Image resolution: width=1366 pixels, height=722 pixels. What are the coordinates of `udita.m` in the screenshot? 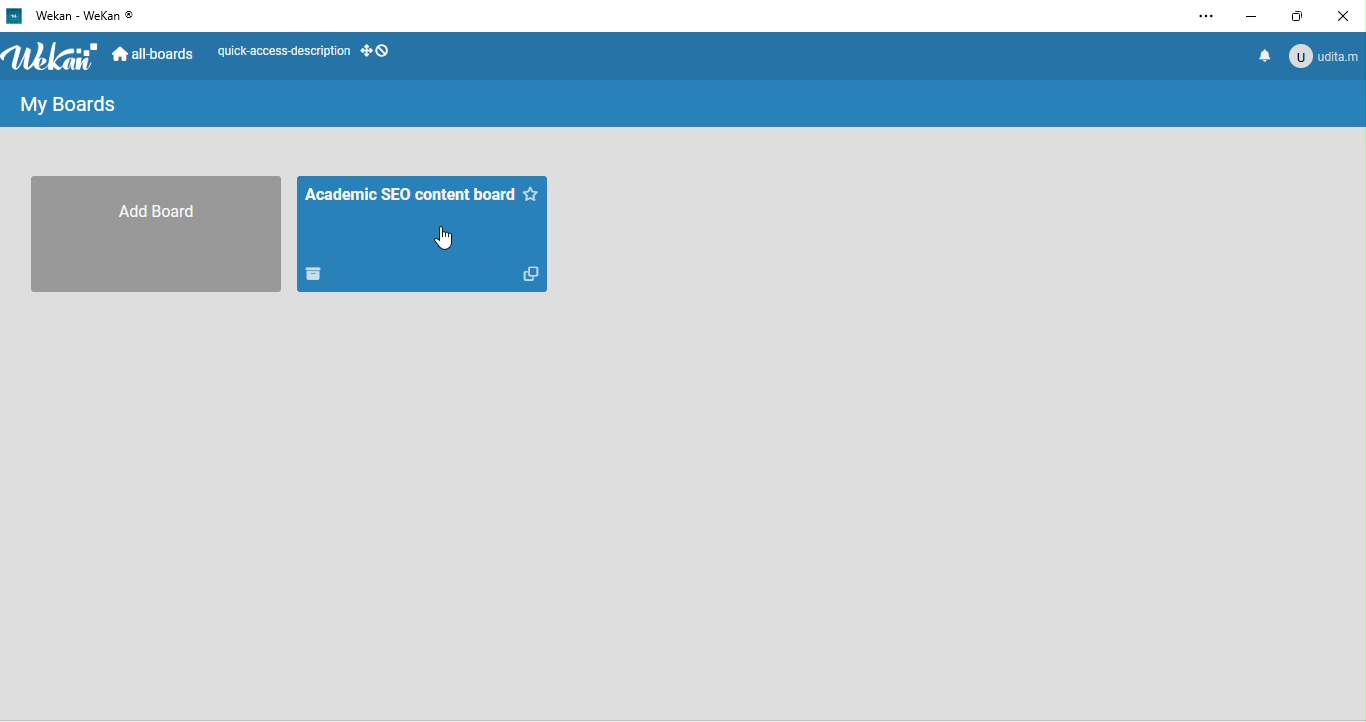 It's located at (1325, 57).